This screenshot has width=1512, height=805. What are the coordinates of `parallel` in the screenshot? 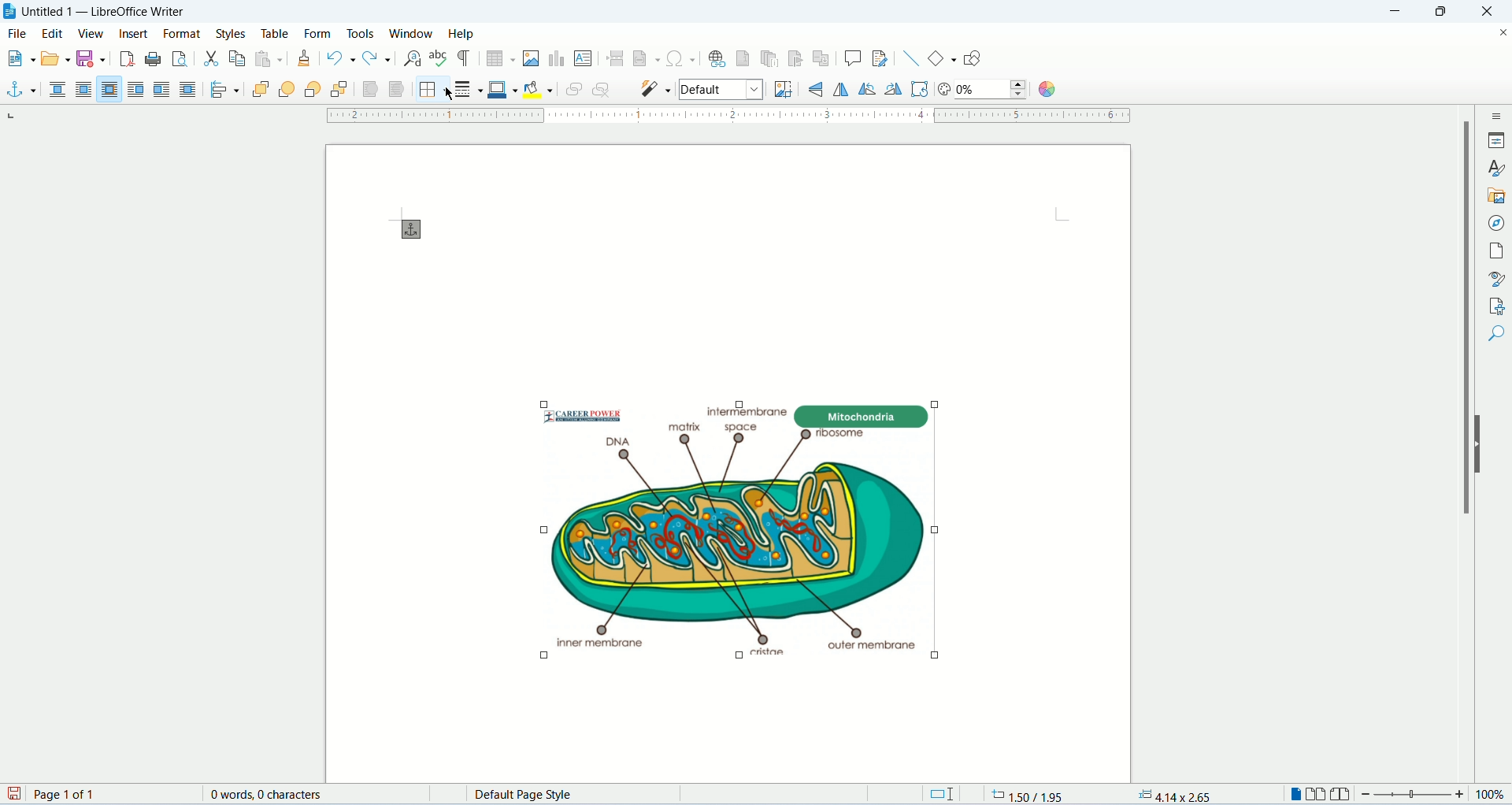 It's located at (87, 90).